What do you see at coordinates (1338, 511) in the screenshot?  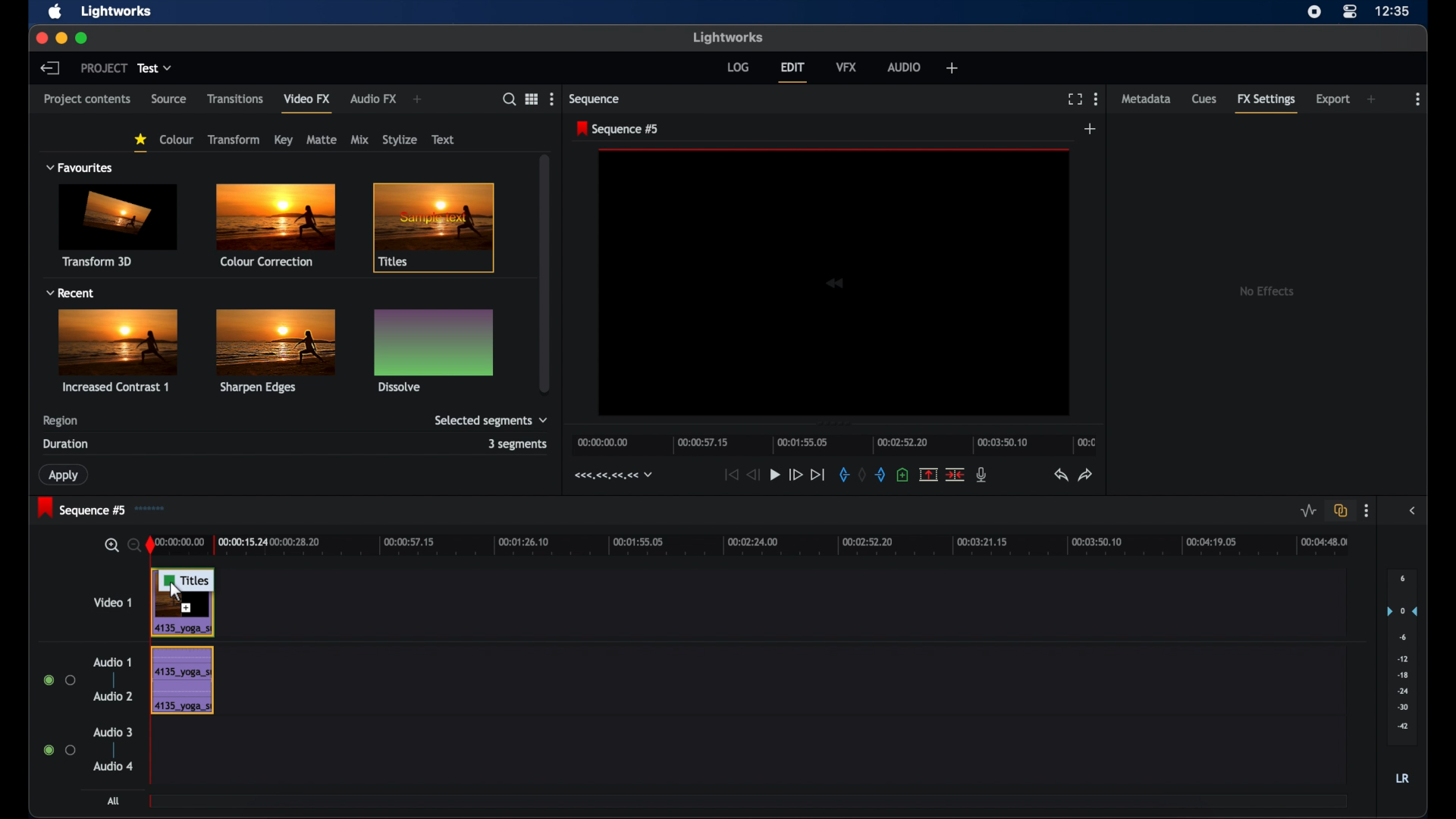 I see `toggle all all track sync` at bounding box center [1338, 511].